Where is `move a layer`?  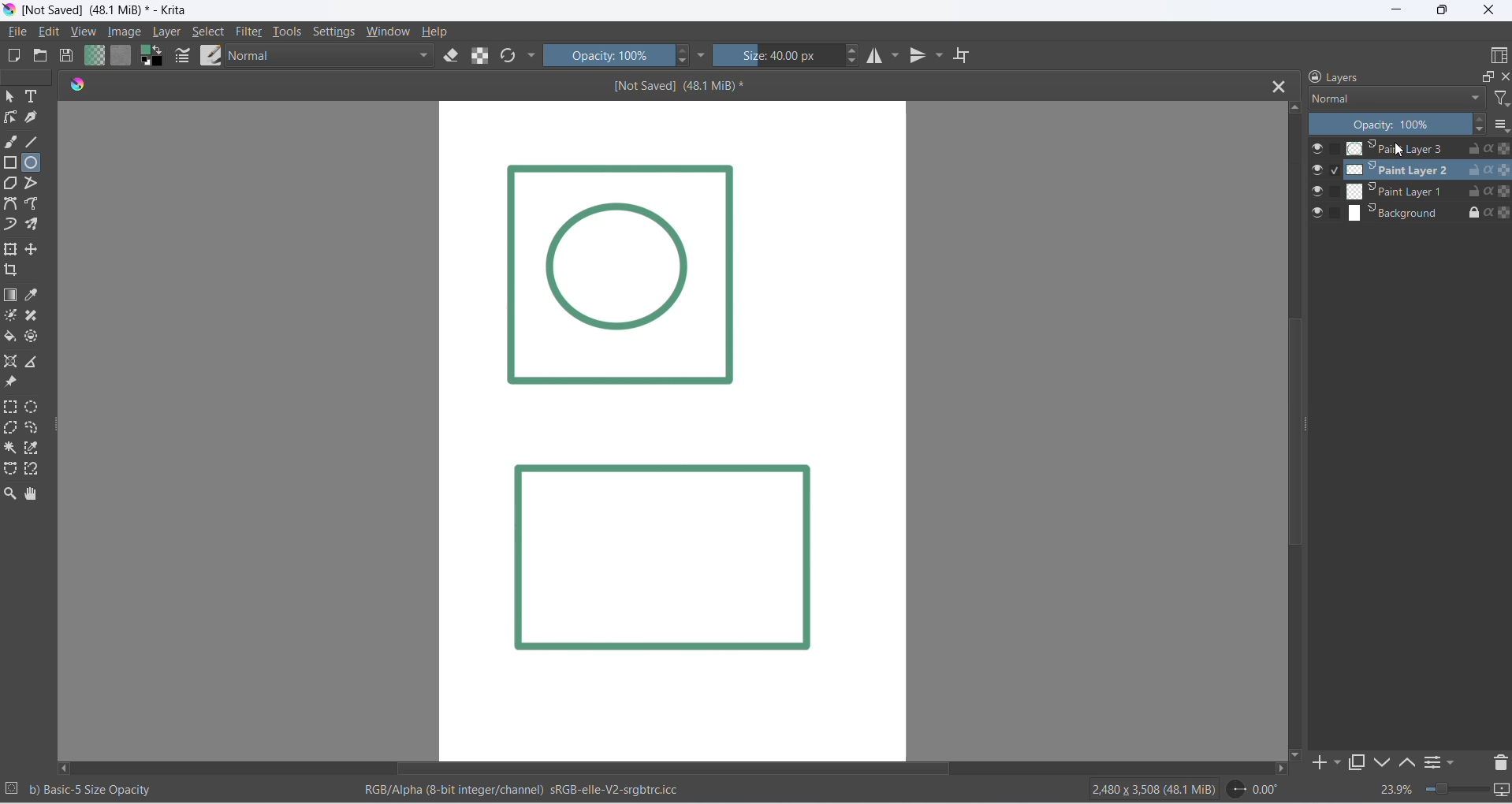
move a layer is located at coordinates (36, 249).